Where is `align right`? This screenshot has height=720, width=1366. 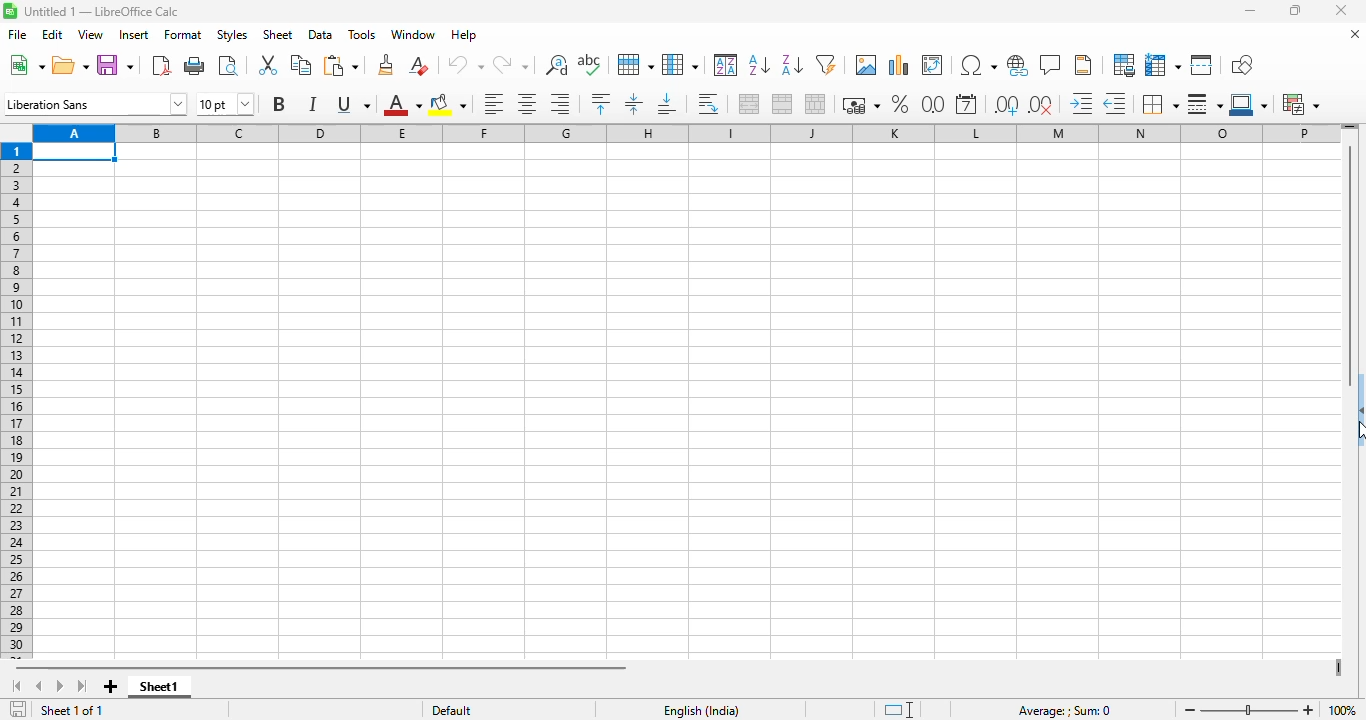 align right is located at coordinates (559, 103).